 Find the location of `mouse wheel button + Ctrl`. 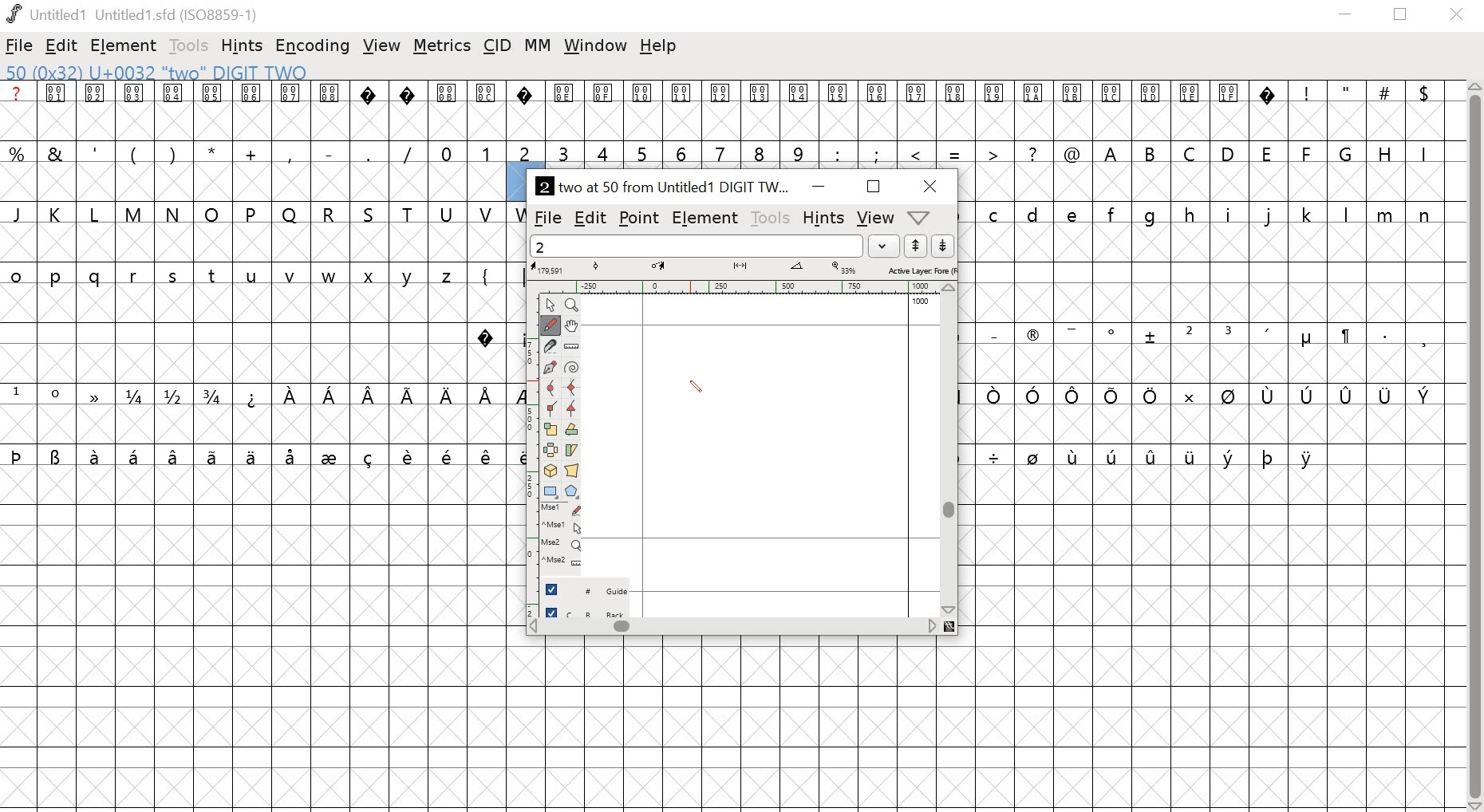

mouse wheel button + Ctrl is located at coordinates (563, 565).